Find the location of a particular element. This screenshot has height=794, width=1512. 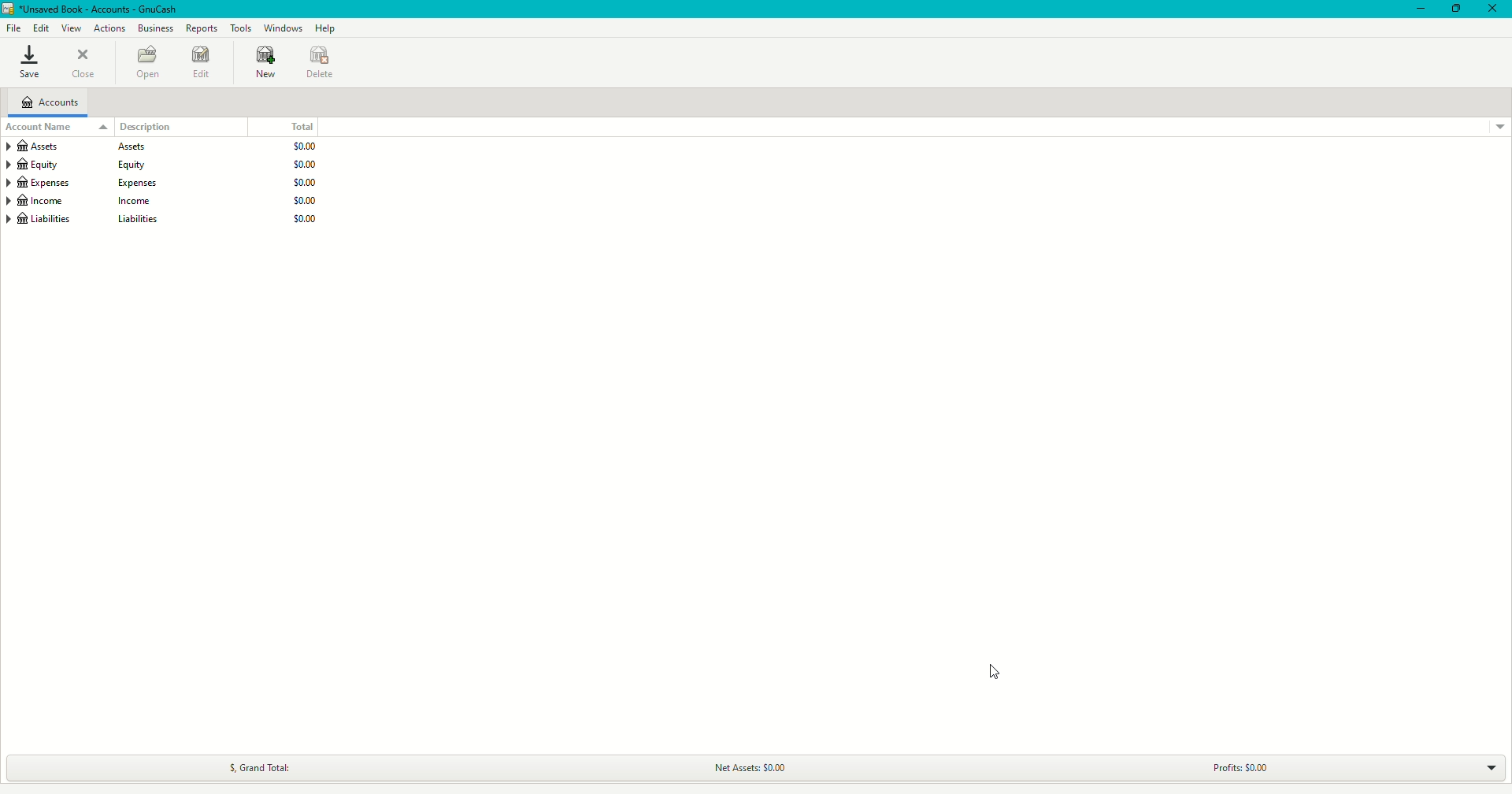

Close is located at coordinates (82, 65).